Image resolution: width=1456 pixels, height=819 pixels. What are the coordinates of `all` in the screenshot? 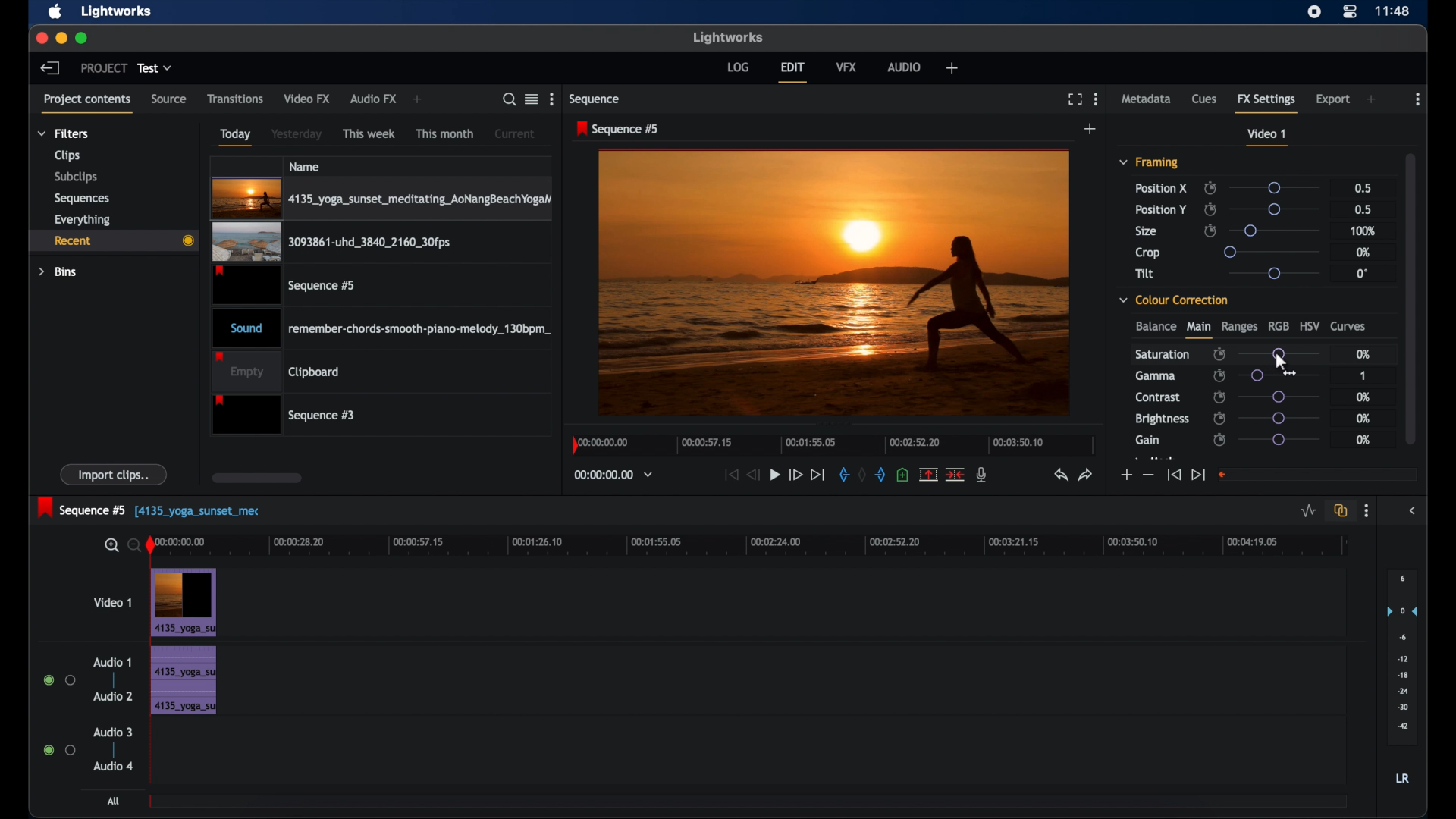 It's located at (114, 801).